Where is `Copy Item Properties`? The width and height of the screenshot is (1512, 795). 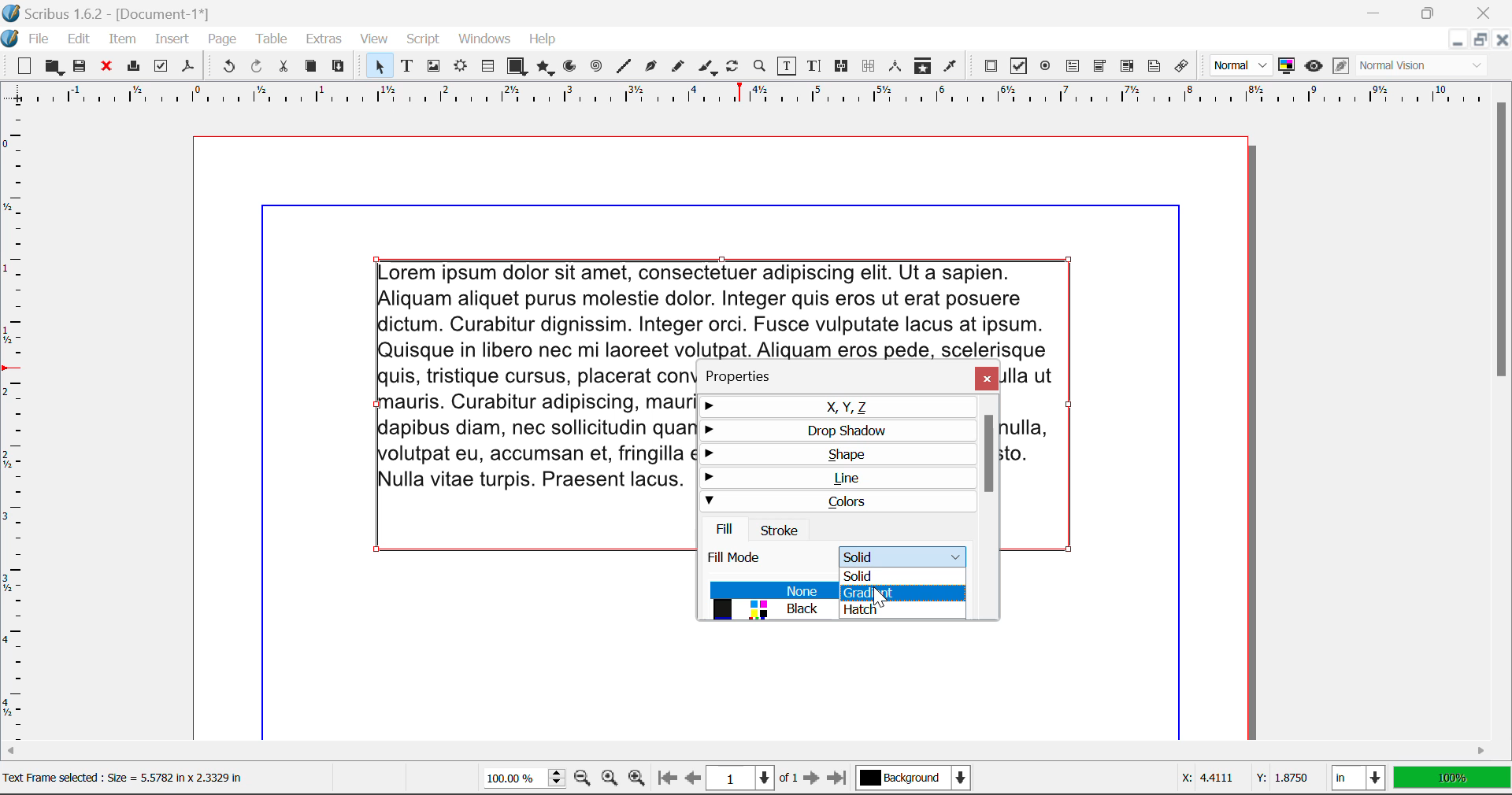
Copy Item Properties is located at coordinates (922, 68).